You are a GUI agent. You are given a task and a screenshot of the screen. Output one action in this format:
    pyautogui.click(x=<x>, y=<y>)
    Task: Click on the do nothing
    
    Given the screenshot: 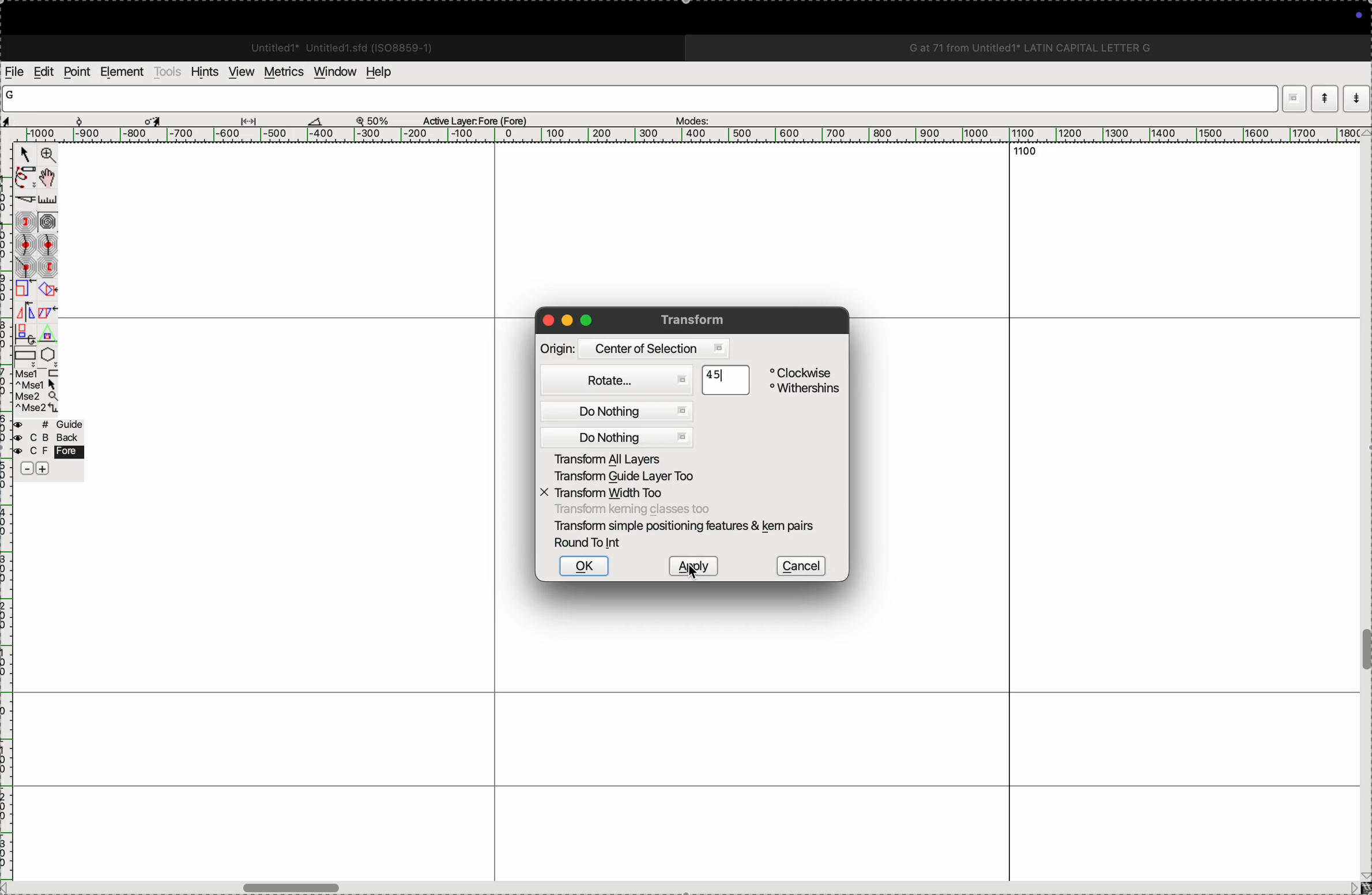 What is the action you would take?
    pyautogui.click(x=619, y=438)
    